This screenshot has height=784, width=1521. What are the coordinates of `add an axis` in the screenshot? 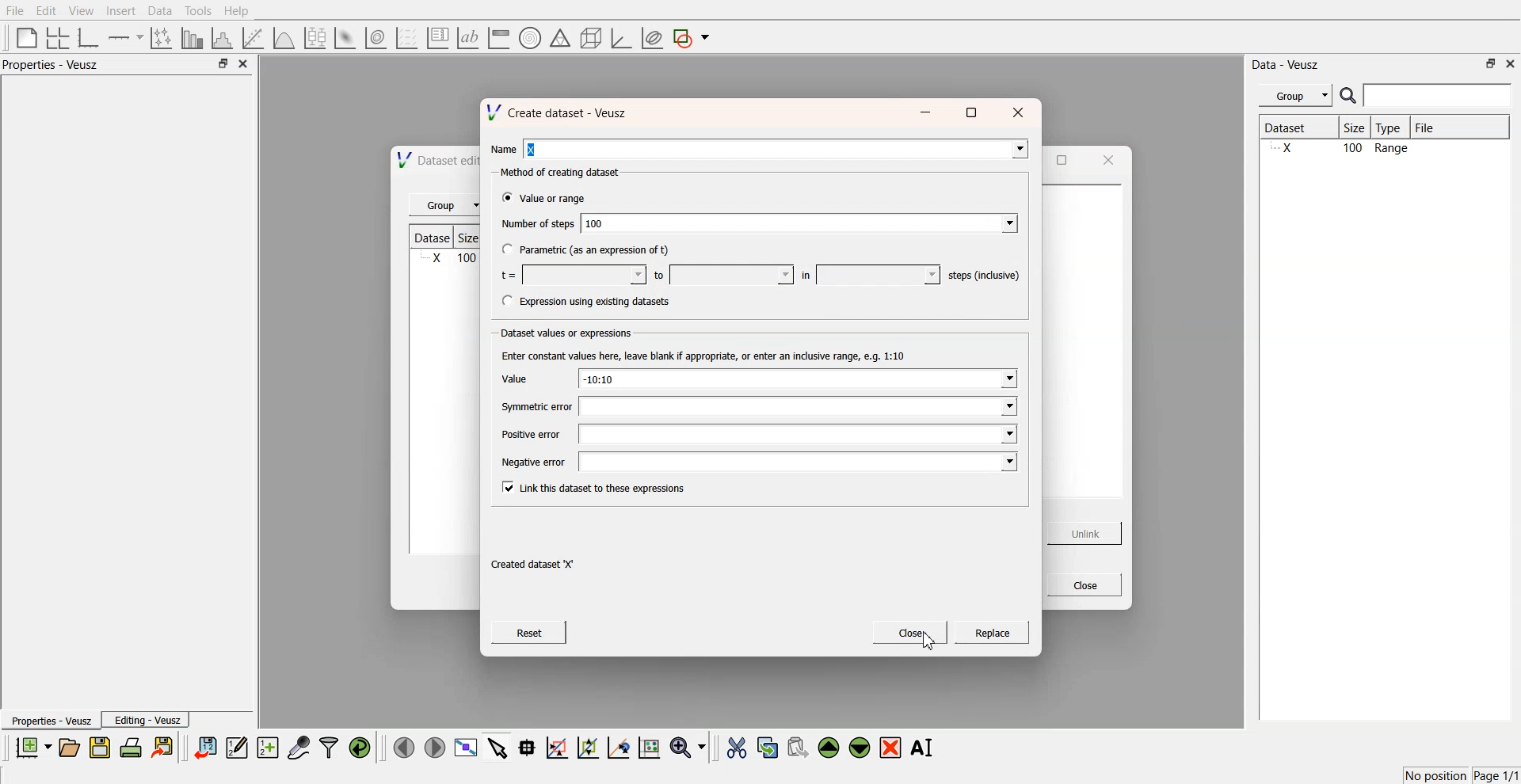 It's located at (127, 37).